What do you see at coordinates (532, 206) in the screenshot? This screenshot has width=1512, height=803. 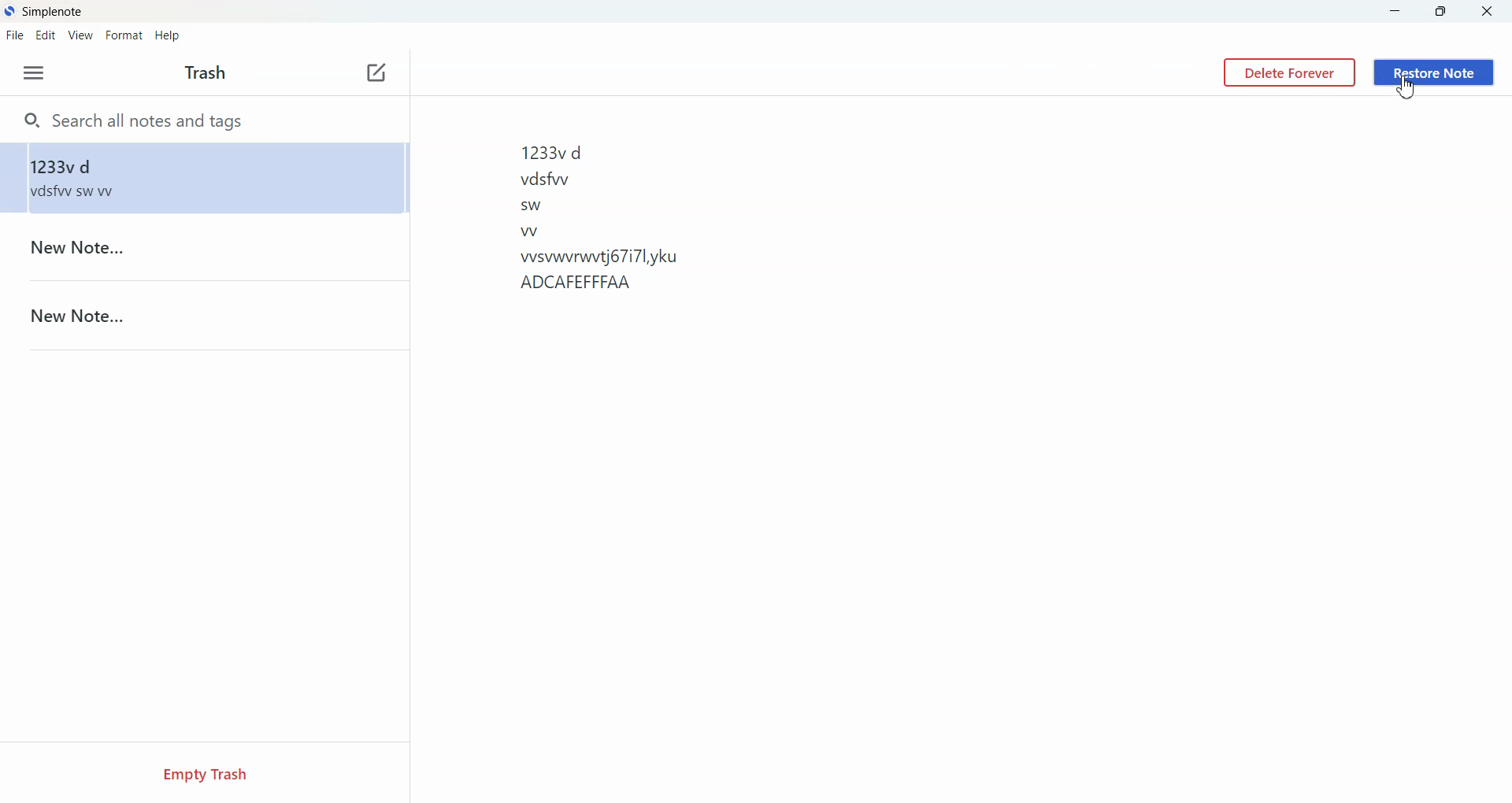 I see `sw` at bounding box center [532, 206].